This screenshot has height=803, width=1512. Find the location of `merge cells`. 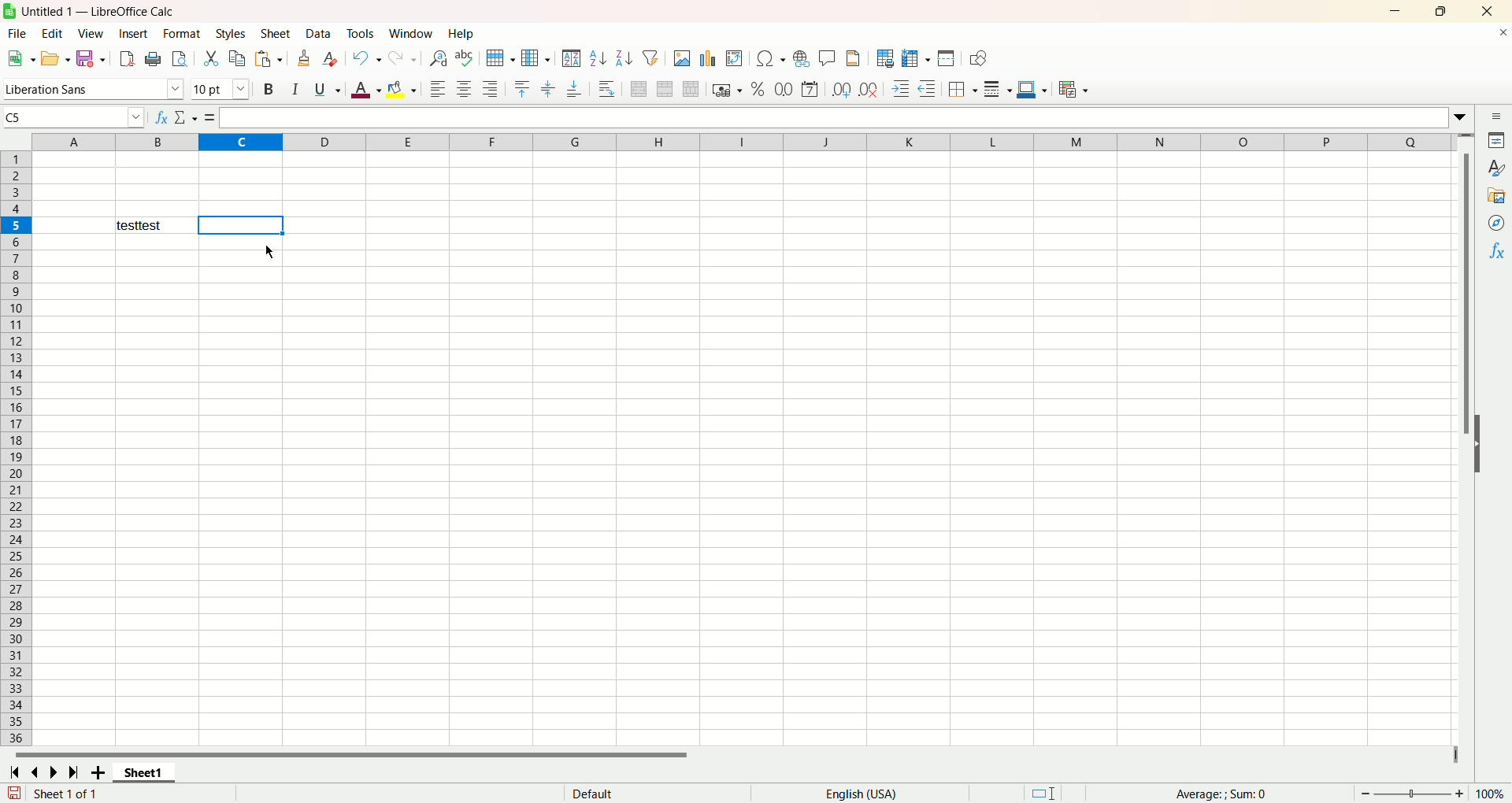

merge cells is located at coordinates (666, 87).